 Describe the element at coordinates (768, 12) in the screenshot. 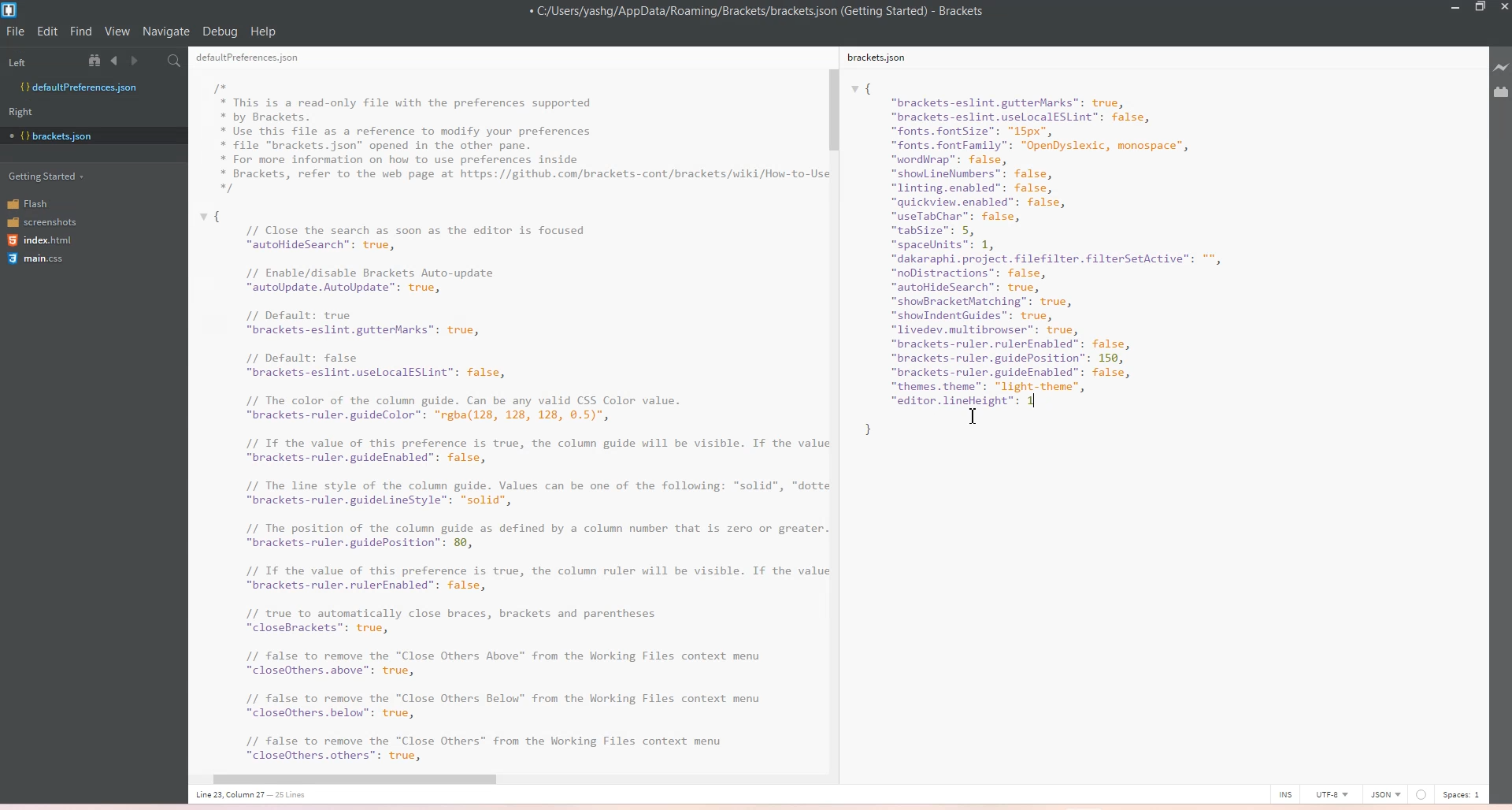

I see `C/Users/yashg/AppData/Roaming/Brackets/brackets json (Getting Started) - Brackets` at that location.